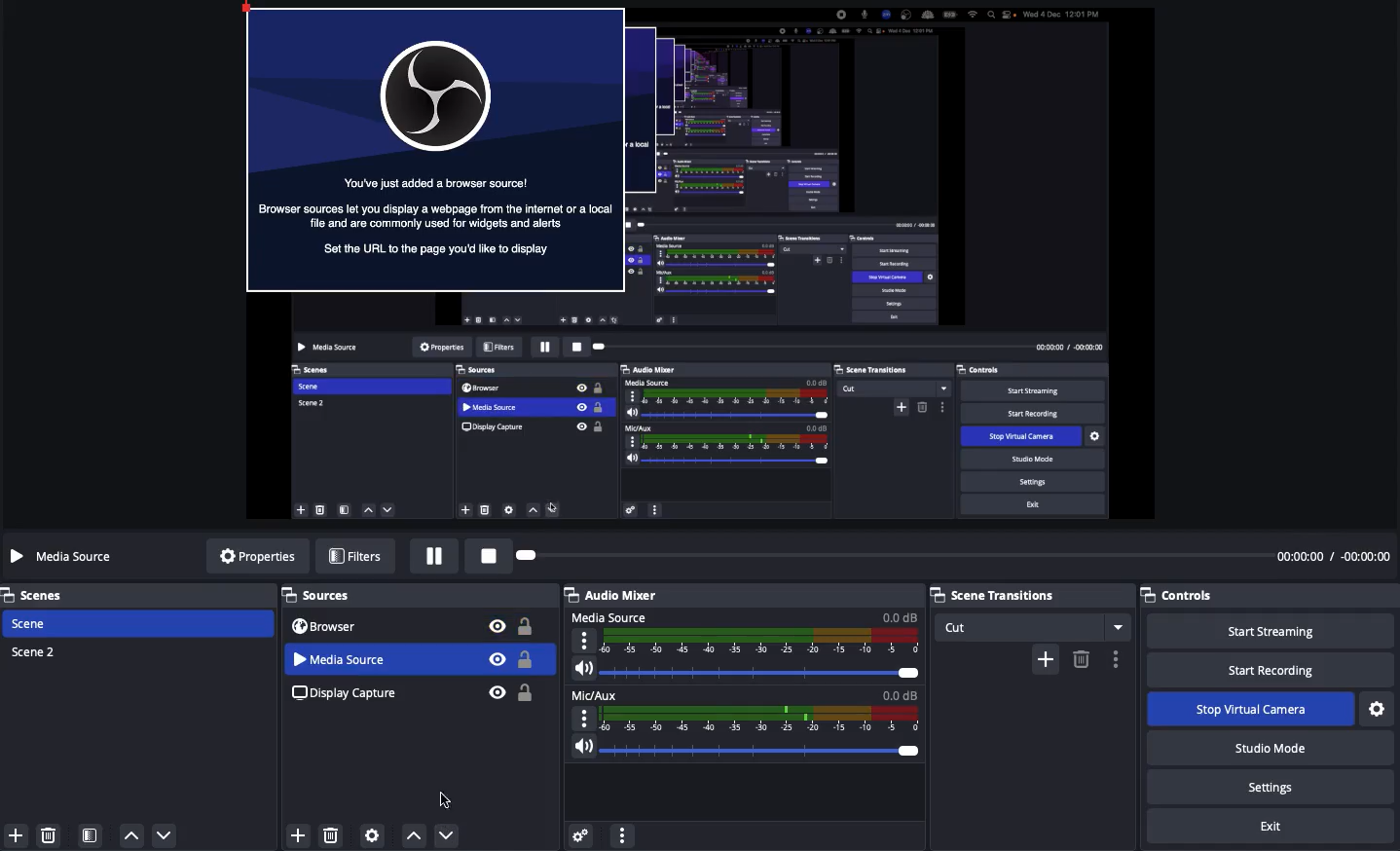 The width and height of the screenshot is (1400, 851). What do you see at coordinates (1036, 627) in the screenshot?
I see `Cut` at bounding box center [1036, 627].